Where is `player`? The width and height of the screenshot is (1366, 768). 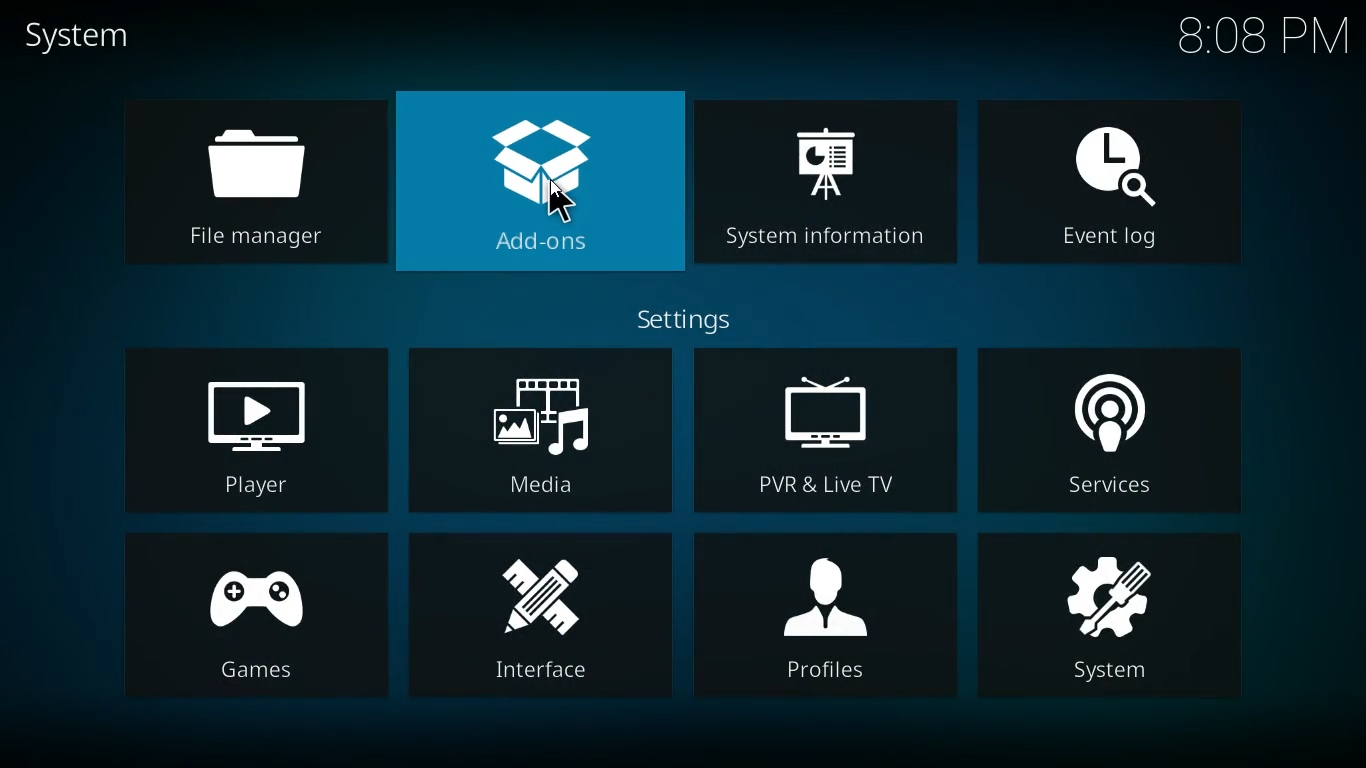
player is located at coordinates (258, 430).